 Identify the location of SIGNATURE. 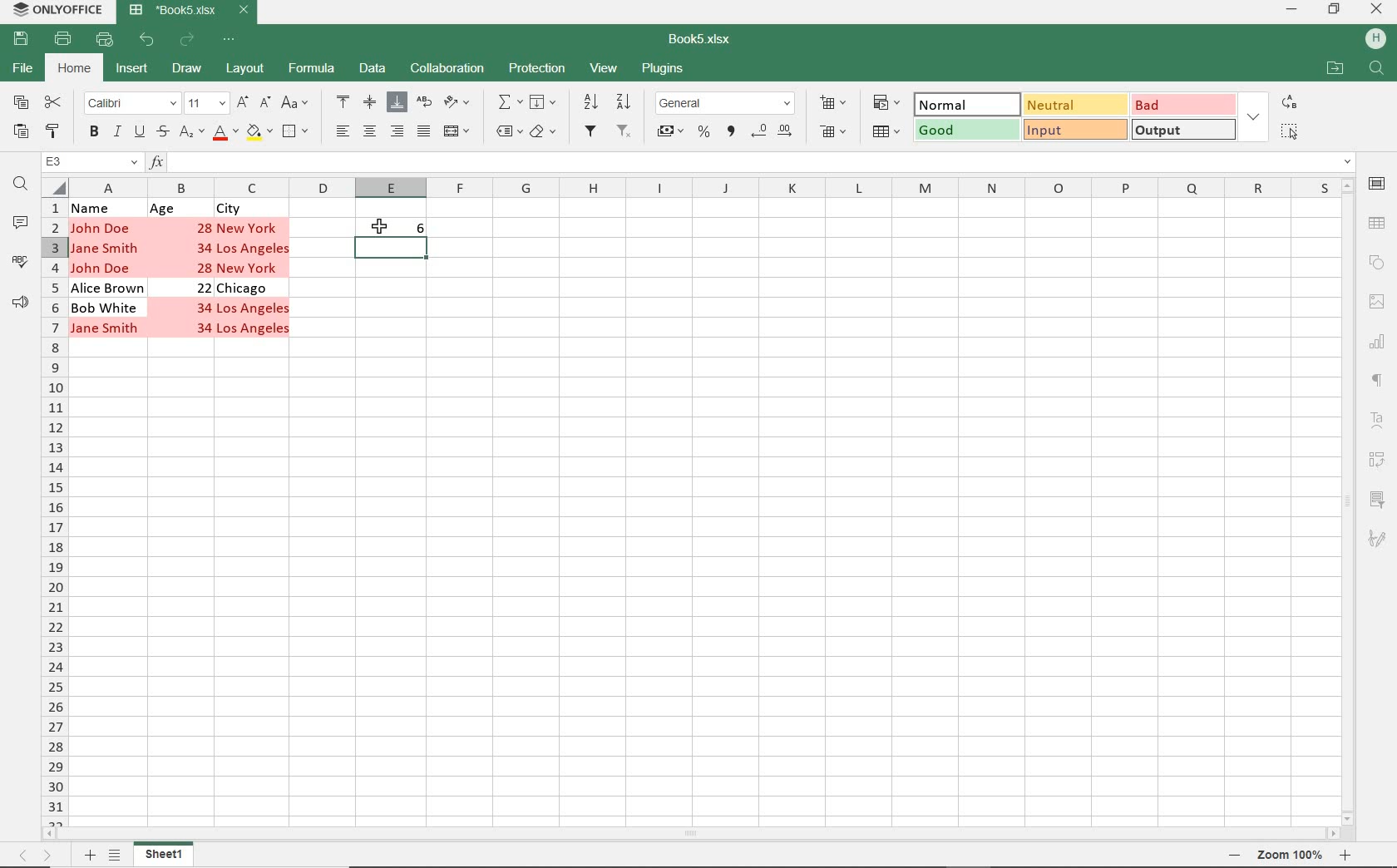
(1375, 535).